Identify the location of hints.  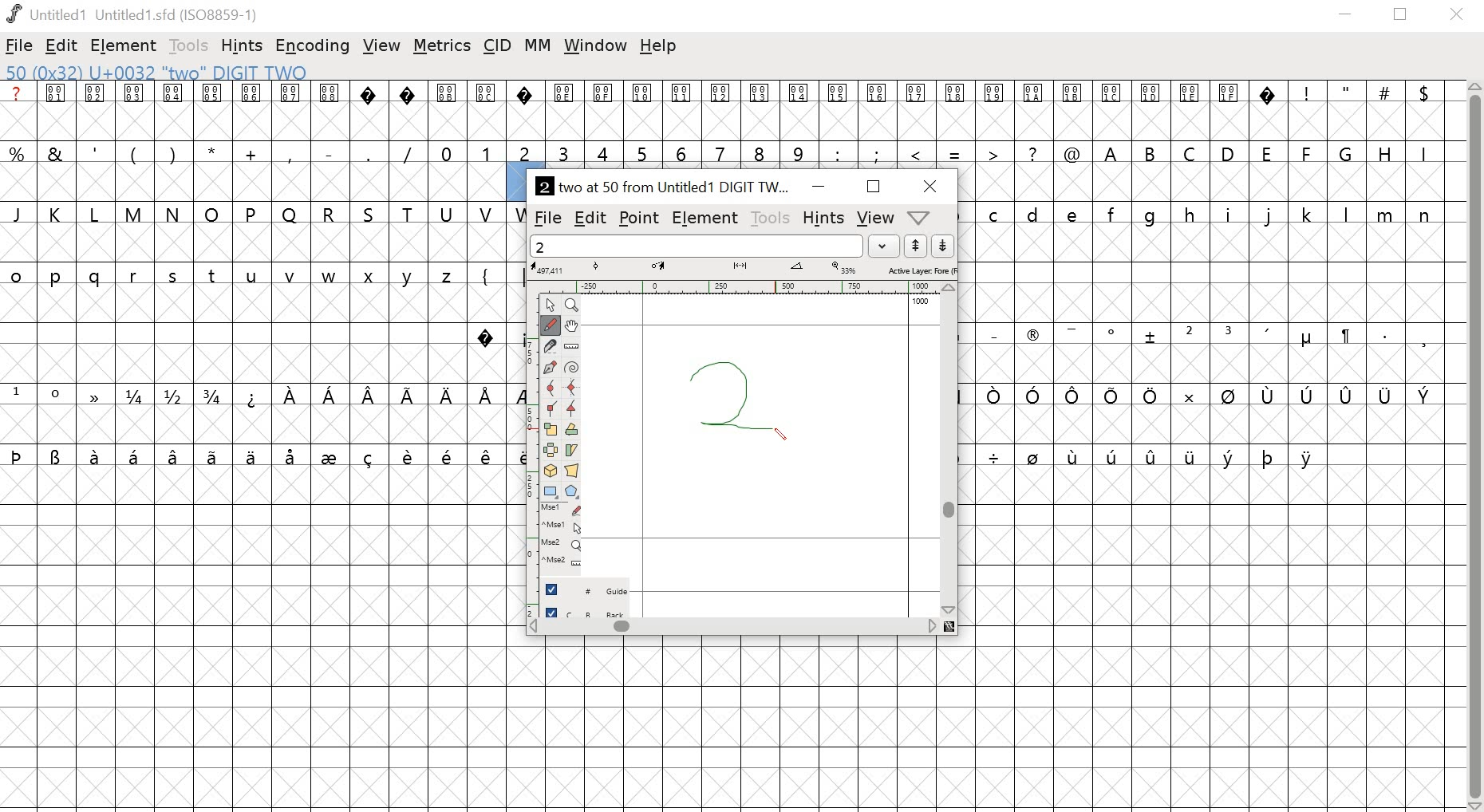
(823, 217).